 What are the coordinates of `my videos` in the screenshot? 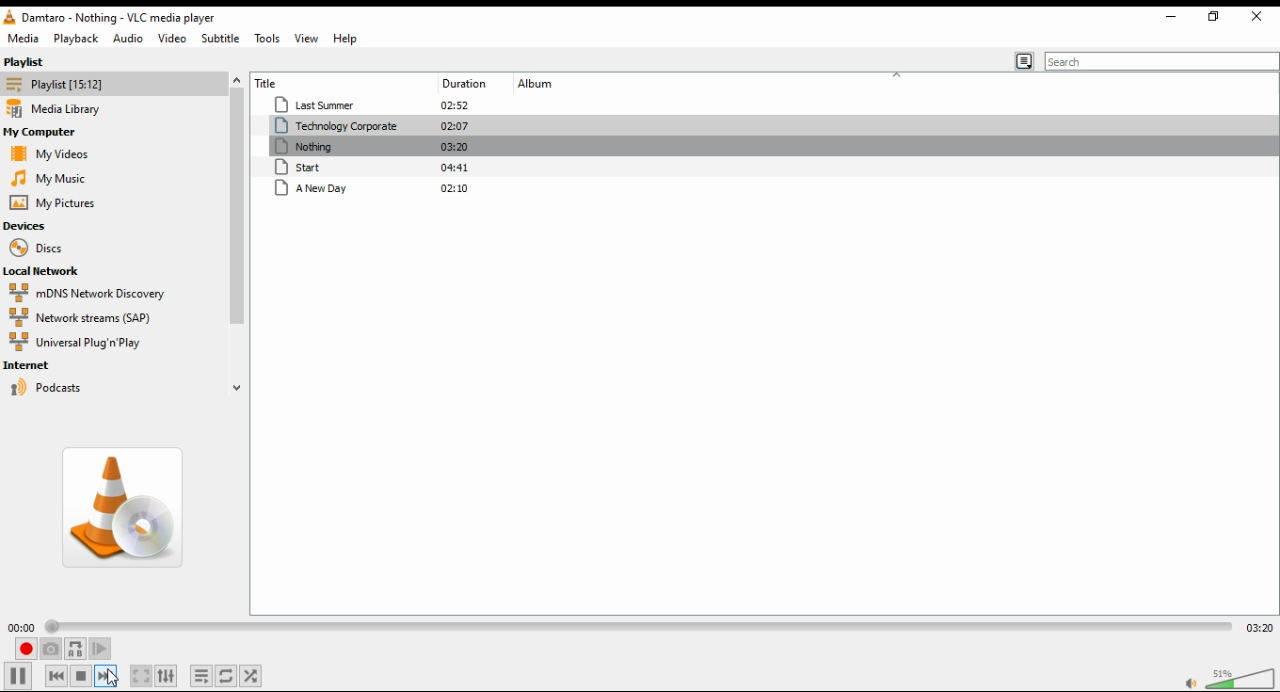 It's located at (48, 154).